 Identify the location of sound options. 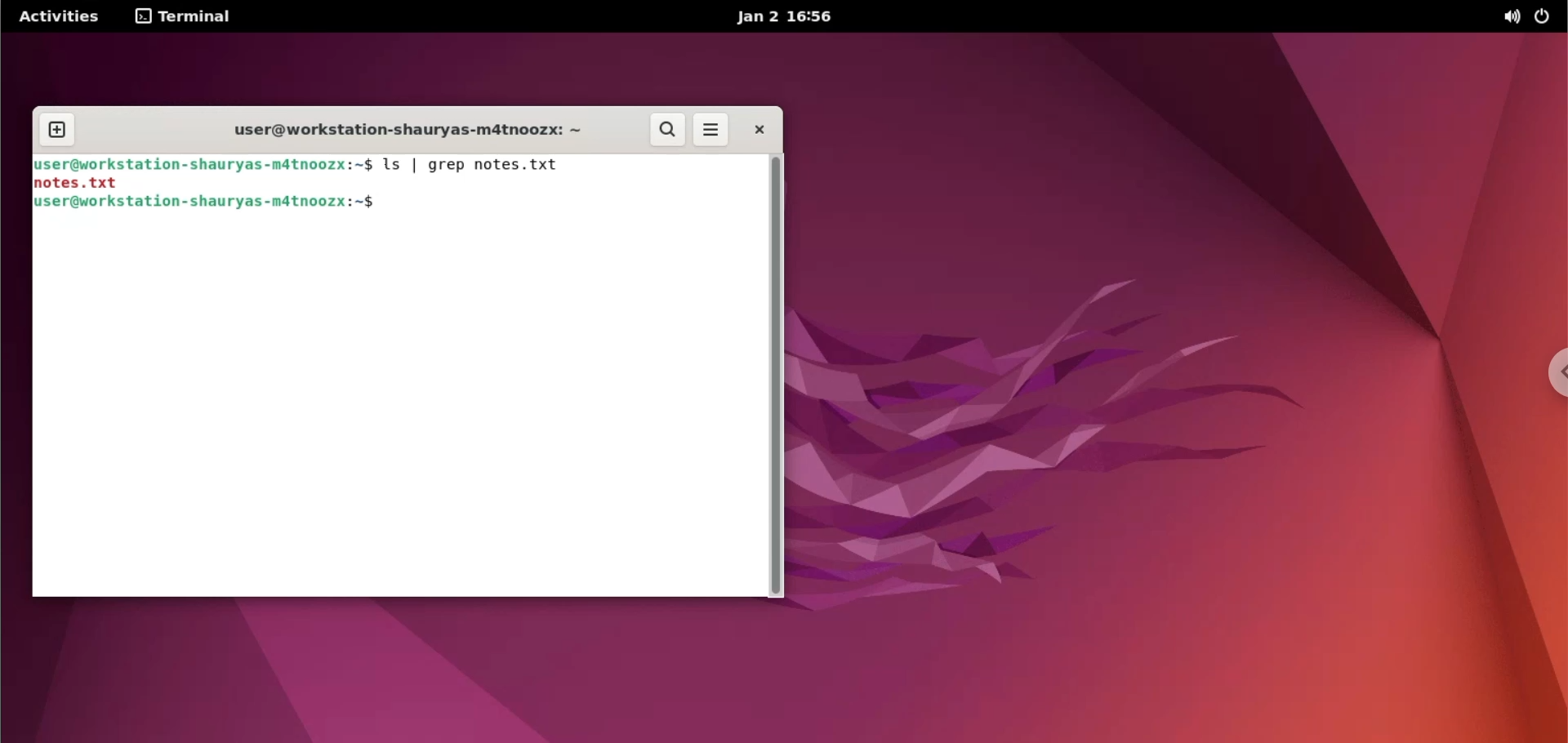
(1508, 17).